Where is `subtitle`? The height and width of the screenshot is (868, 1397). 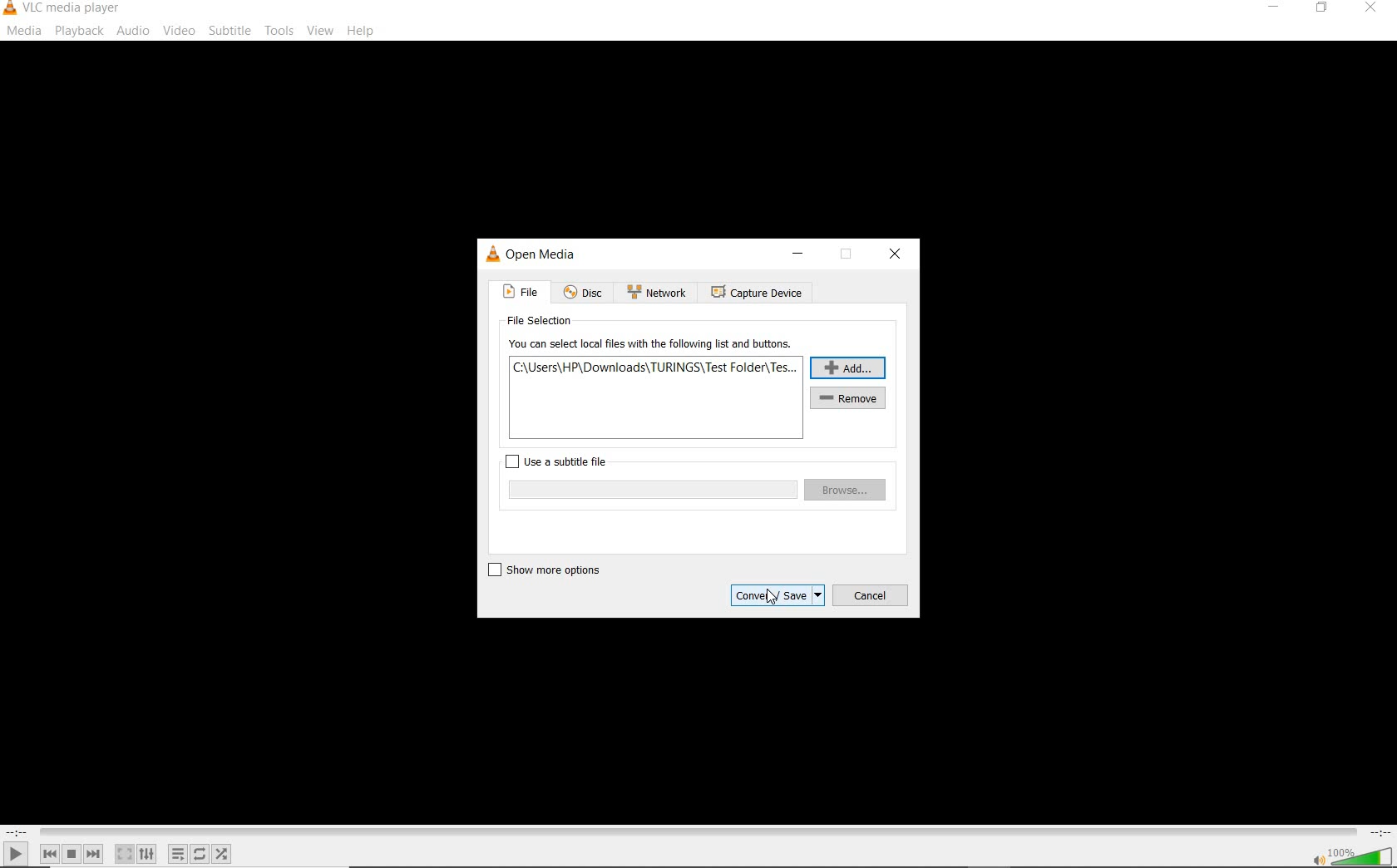
subtitle is located at coordinates (230, 31).